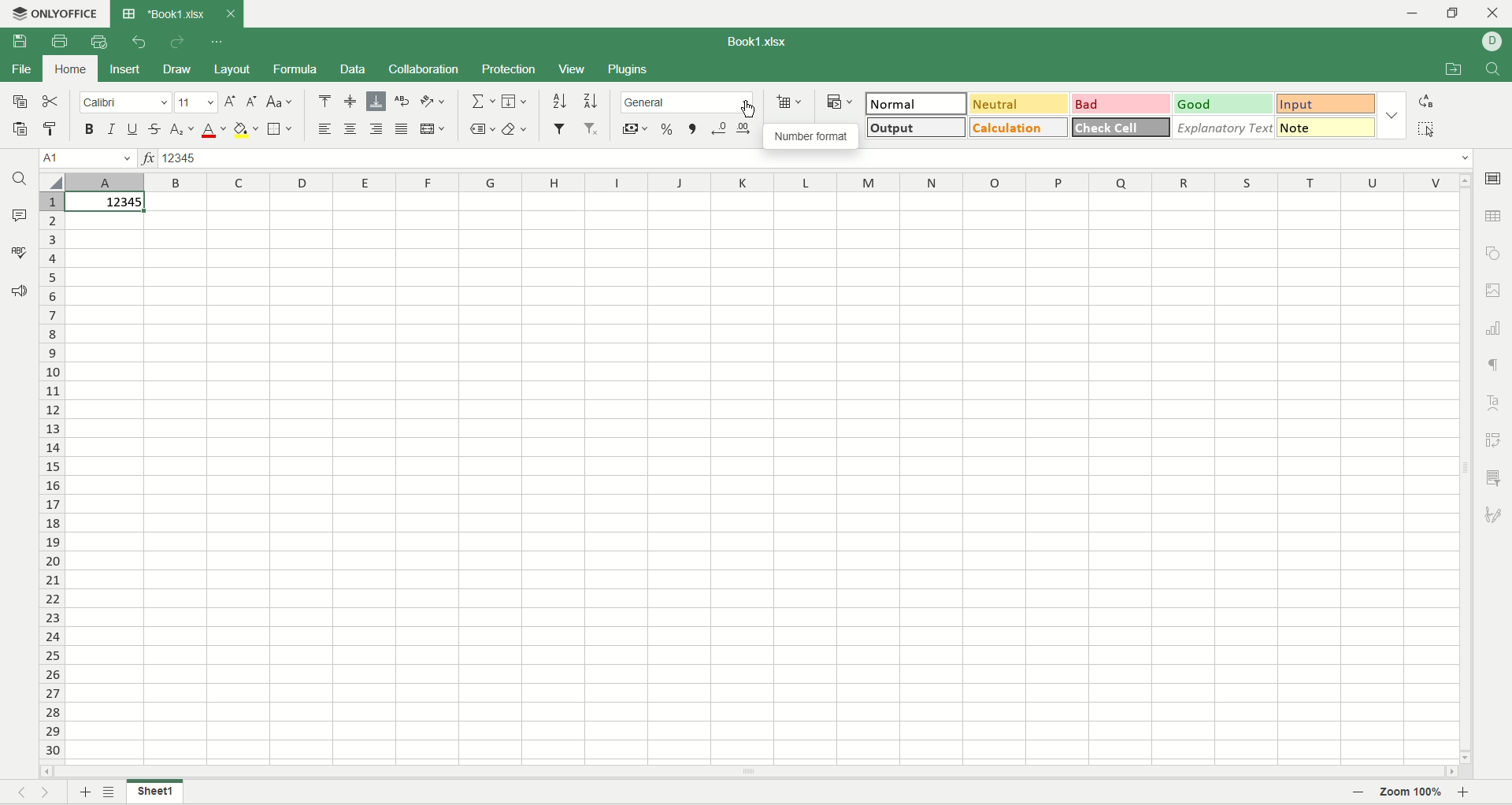  What do you see at coordinates (15, 291) in the screenshot?
I see `feedback and support` at bounding box center [15, 291].